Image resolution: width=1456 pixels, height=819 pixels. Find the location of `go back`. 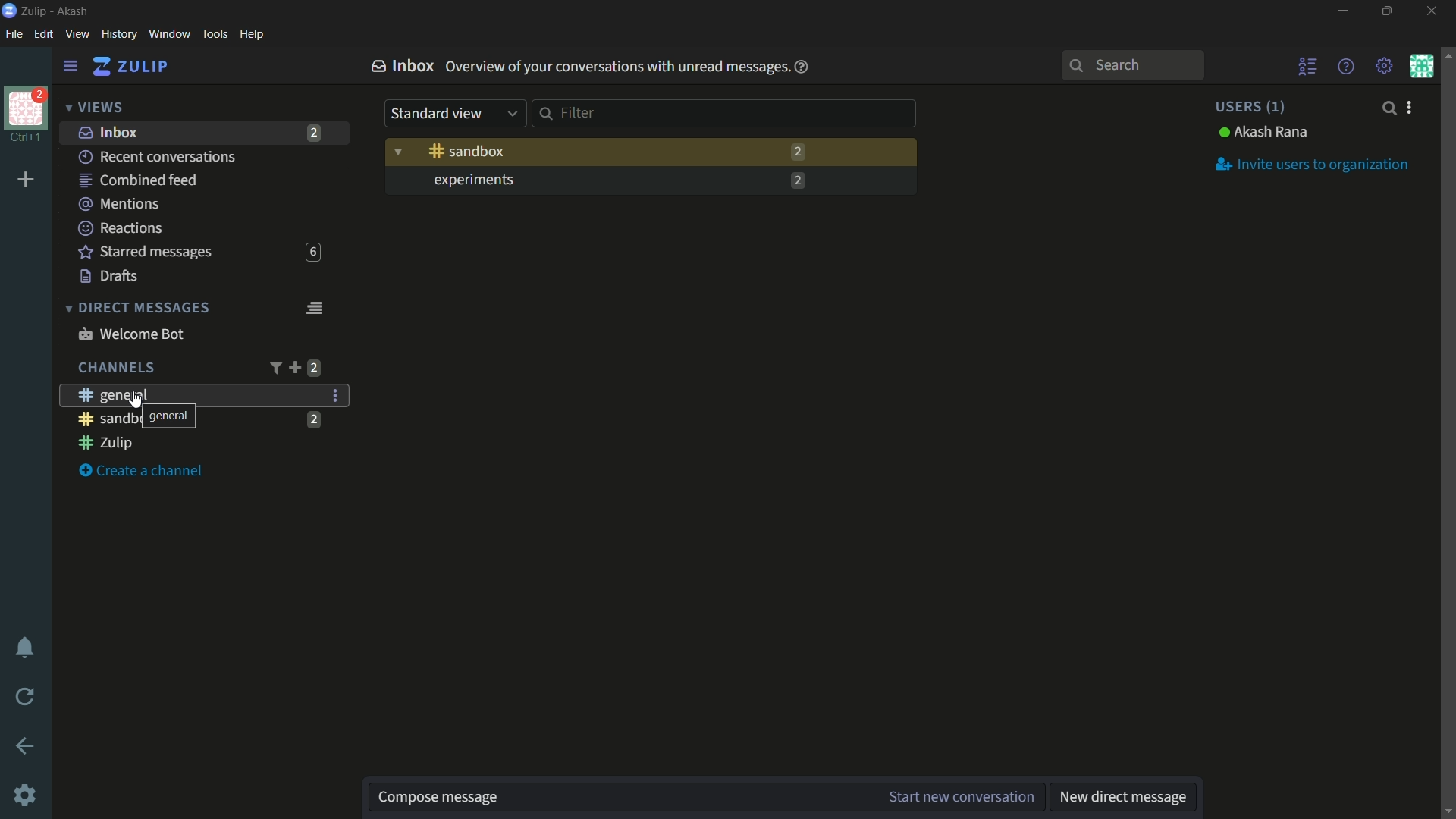

go back is located at coordinates (26, 747).